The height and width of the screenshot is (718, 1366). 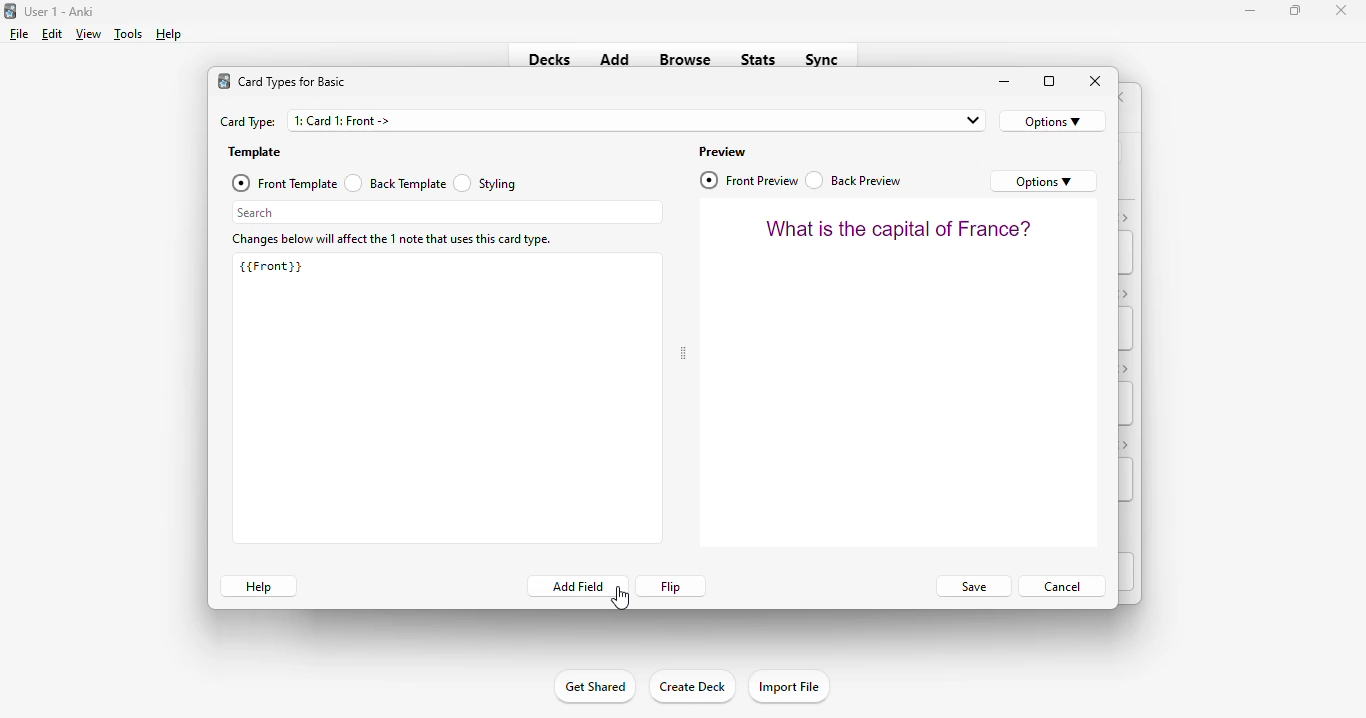 I want to click on logo, so click(x=9, y=10).